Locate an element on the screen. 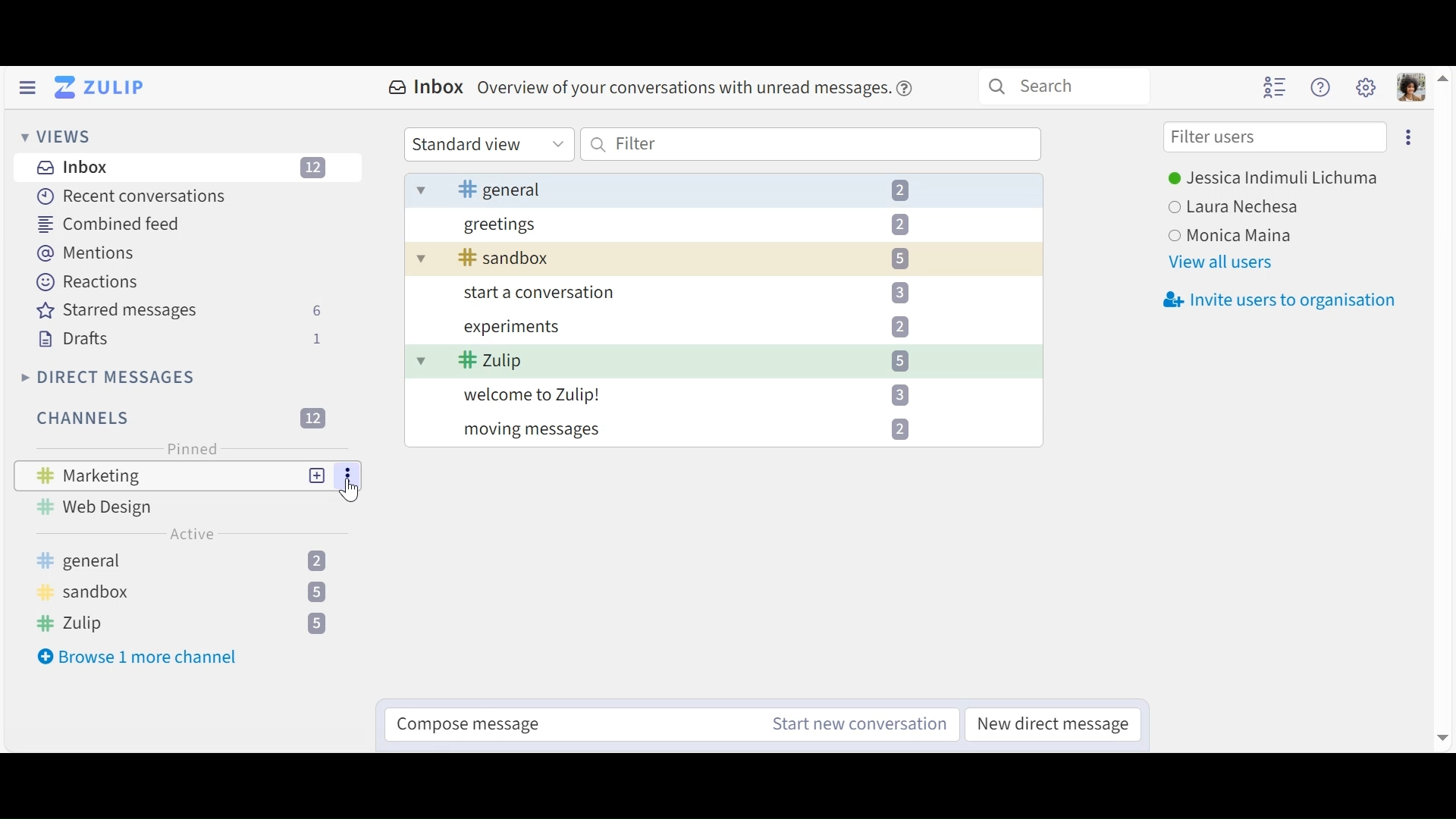 This screenshot has width=1456, height=819. Hide left Sidebar is located at coordinates (29, 87).